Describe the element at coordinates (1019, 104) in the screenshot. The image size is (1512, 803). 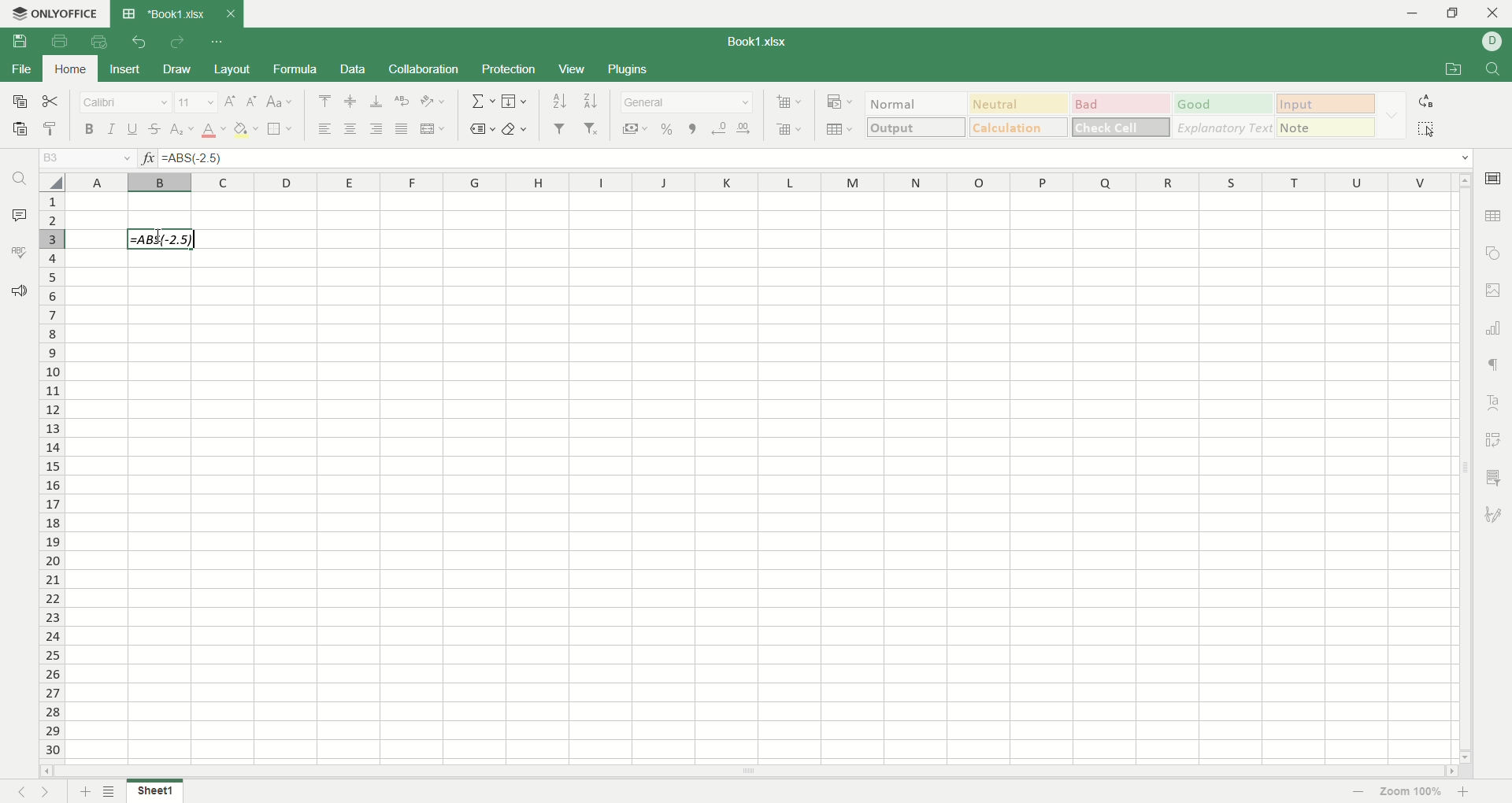
I see `neutral` at that location.